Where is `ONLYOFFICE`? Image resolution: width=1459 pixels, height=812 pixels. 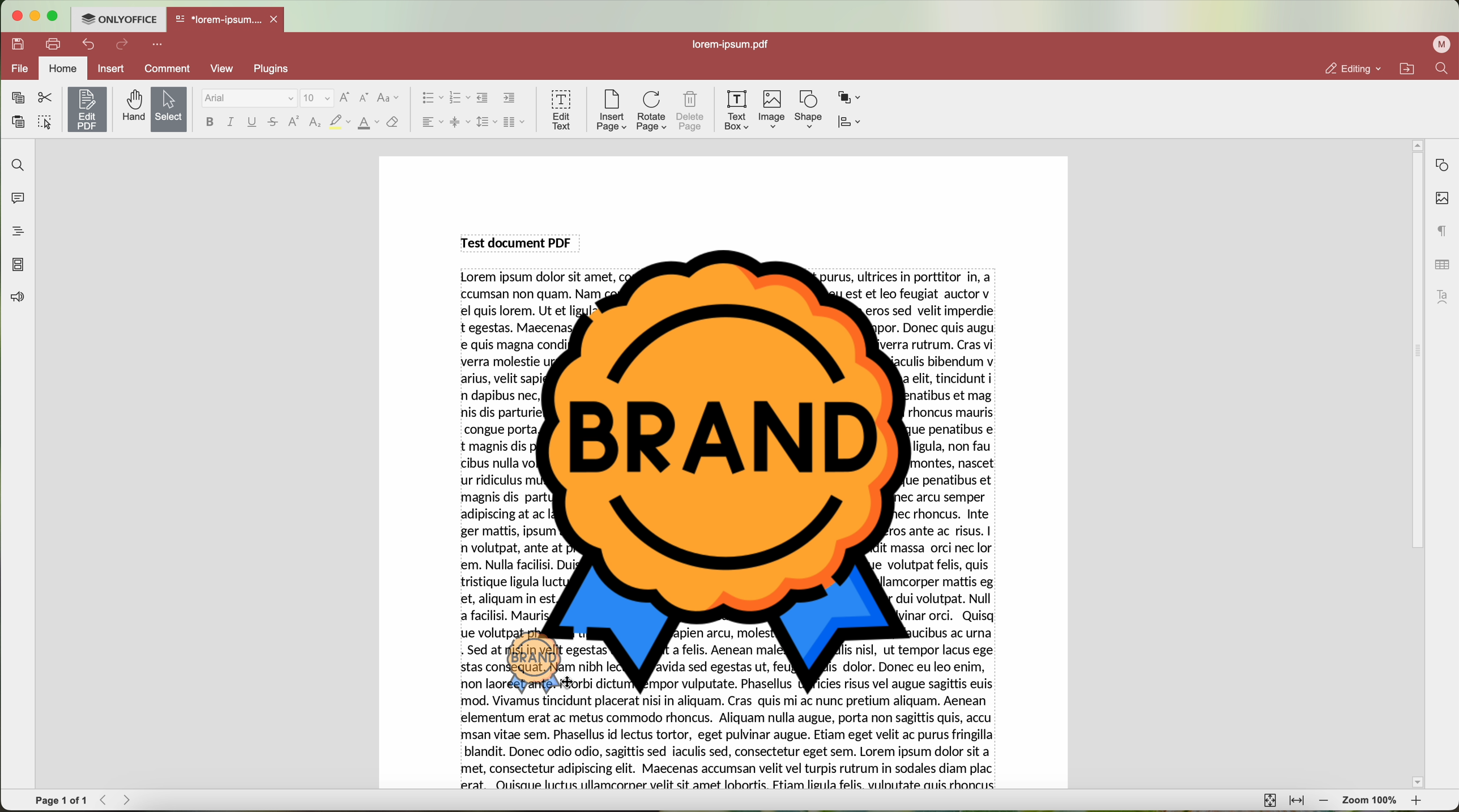 ONLYOFFICE is located at coordinates (118, 18).